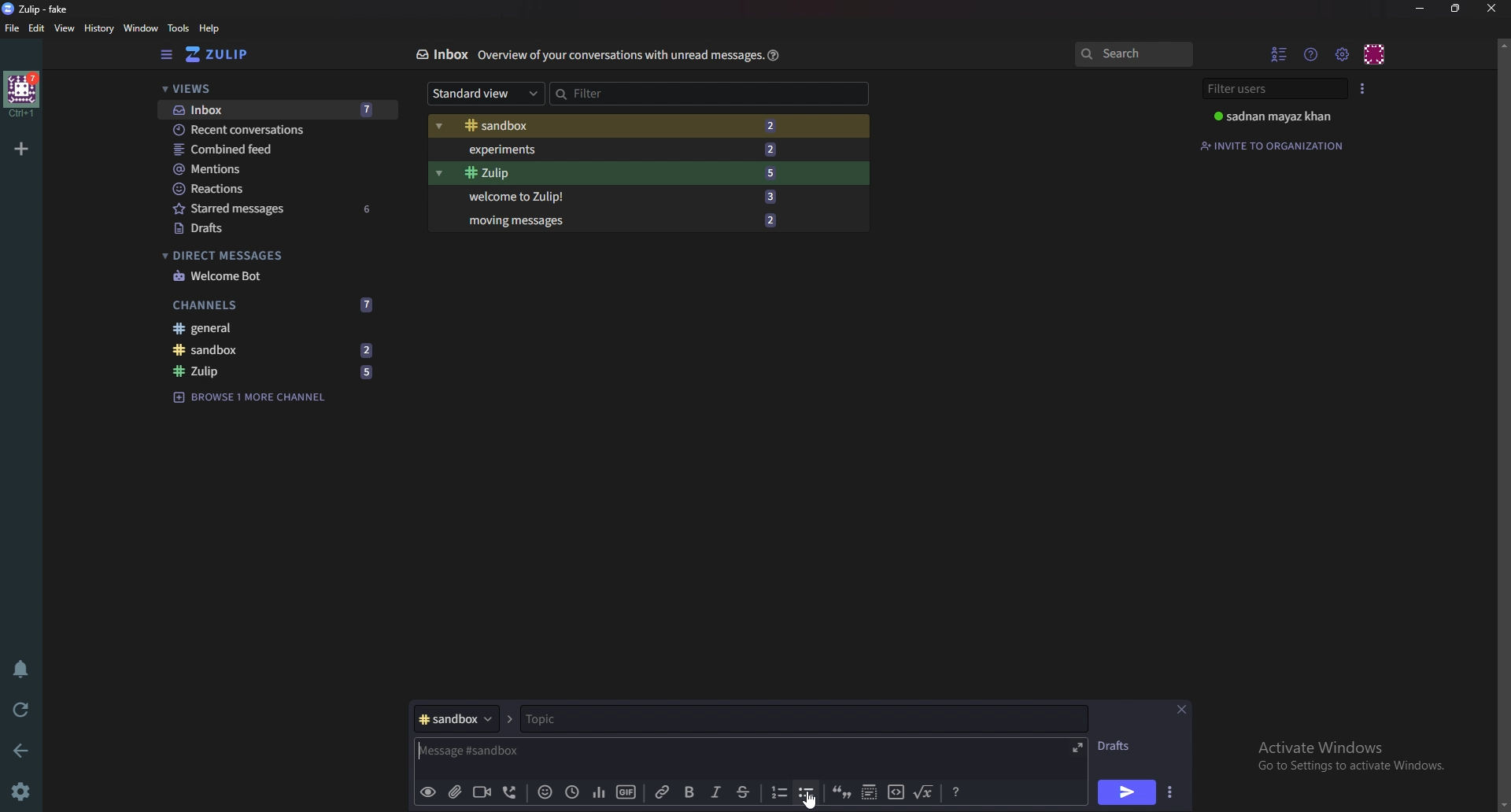 The image size is (1511, 812). Describe the element at coordinates (716, 792) in the screenshot. I see `Italic` at that location.